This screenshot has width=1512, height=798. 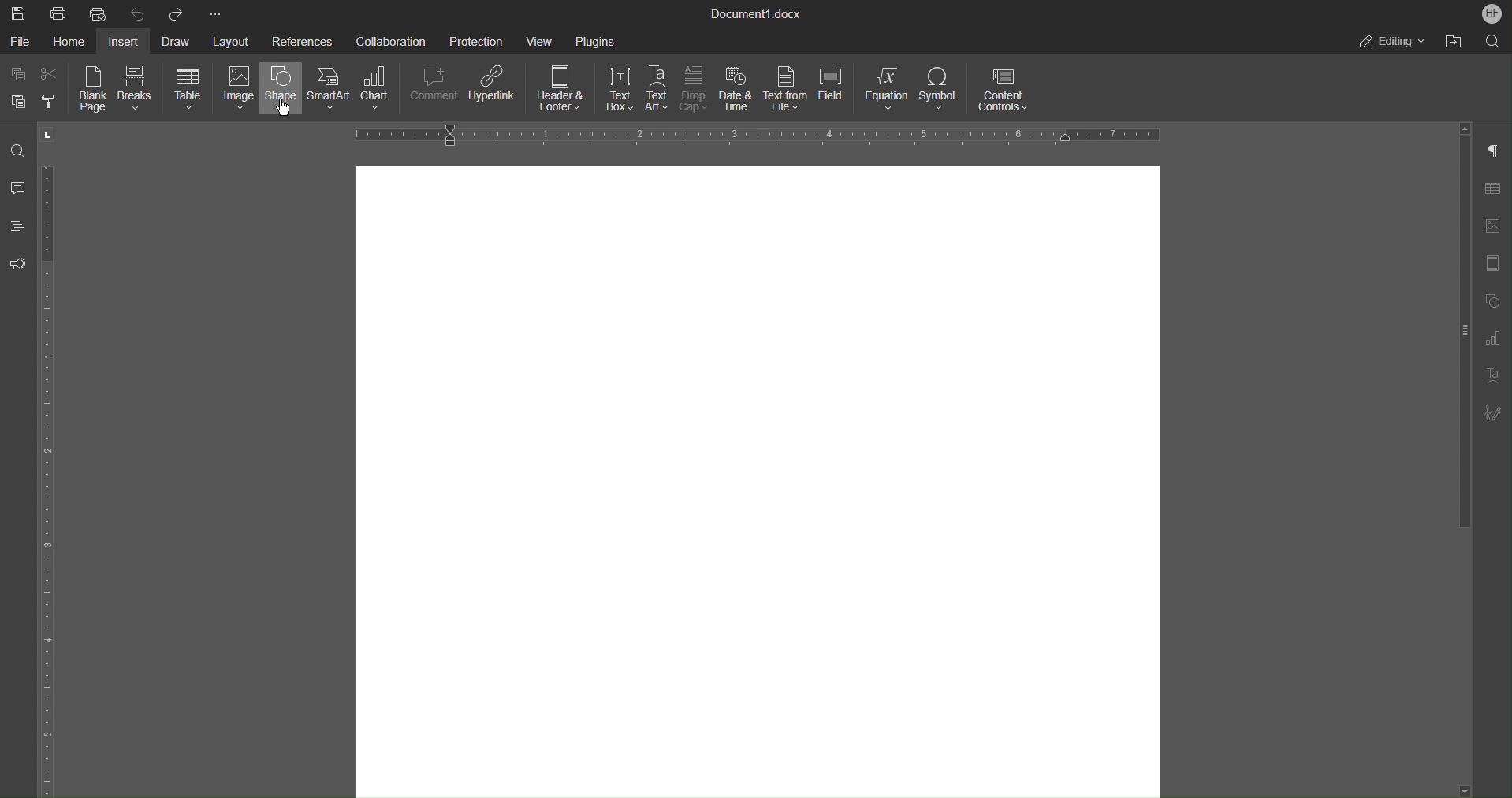 I want to click on Header & Footer, so click(x=562, y=91).